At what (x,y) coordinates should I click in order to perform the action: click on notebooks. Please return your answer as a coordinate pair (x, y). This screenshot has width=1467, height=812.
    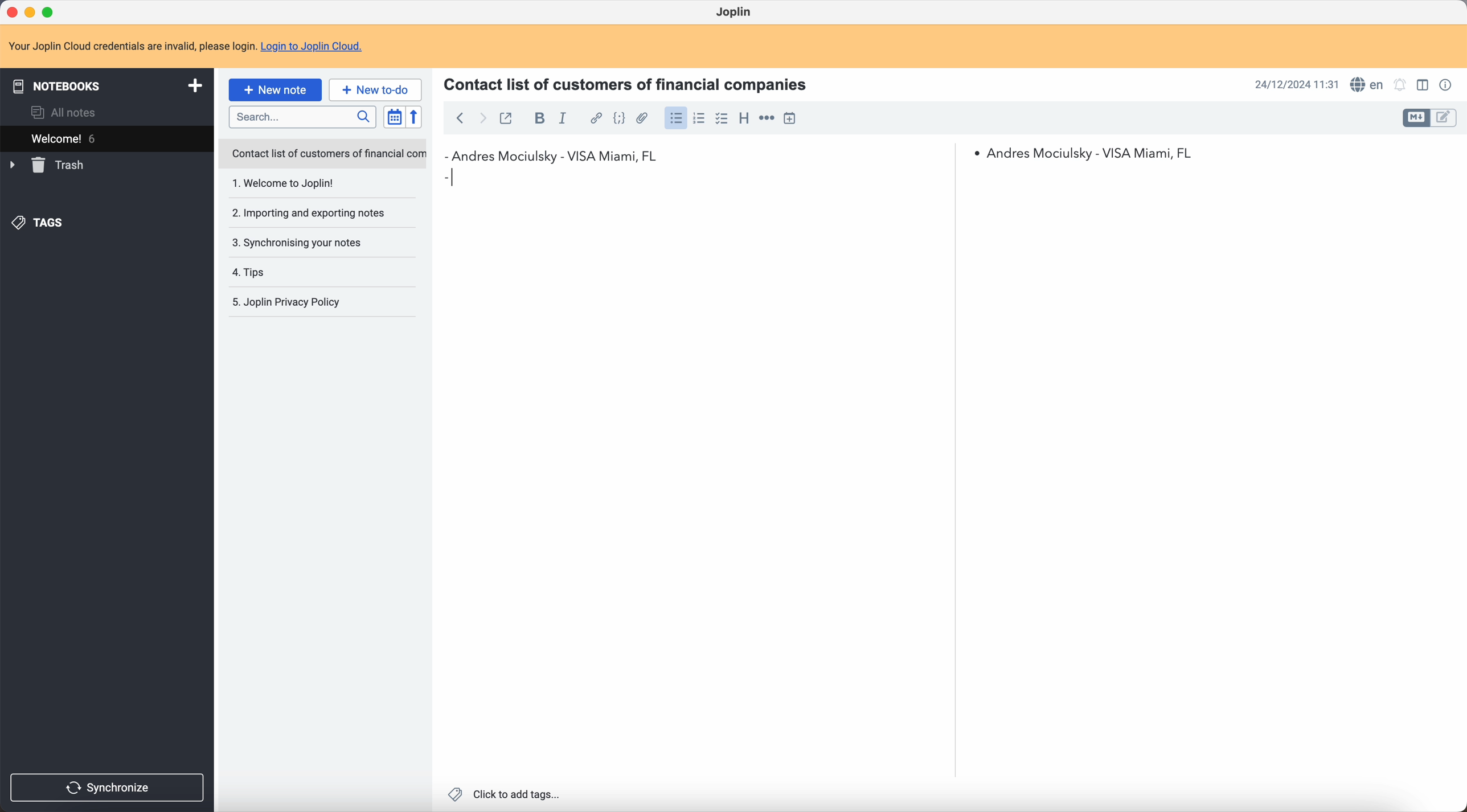
    Looking at the image, I should click on (105, 85).